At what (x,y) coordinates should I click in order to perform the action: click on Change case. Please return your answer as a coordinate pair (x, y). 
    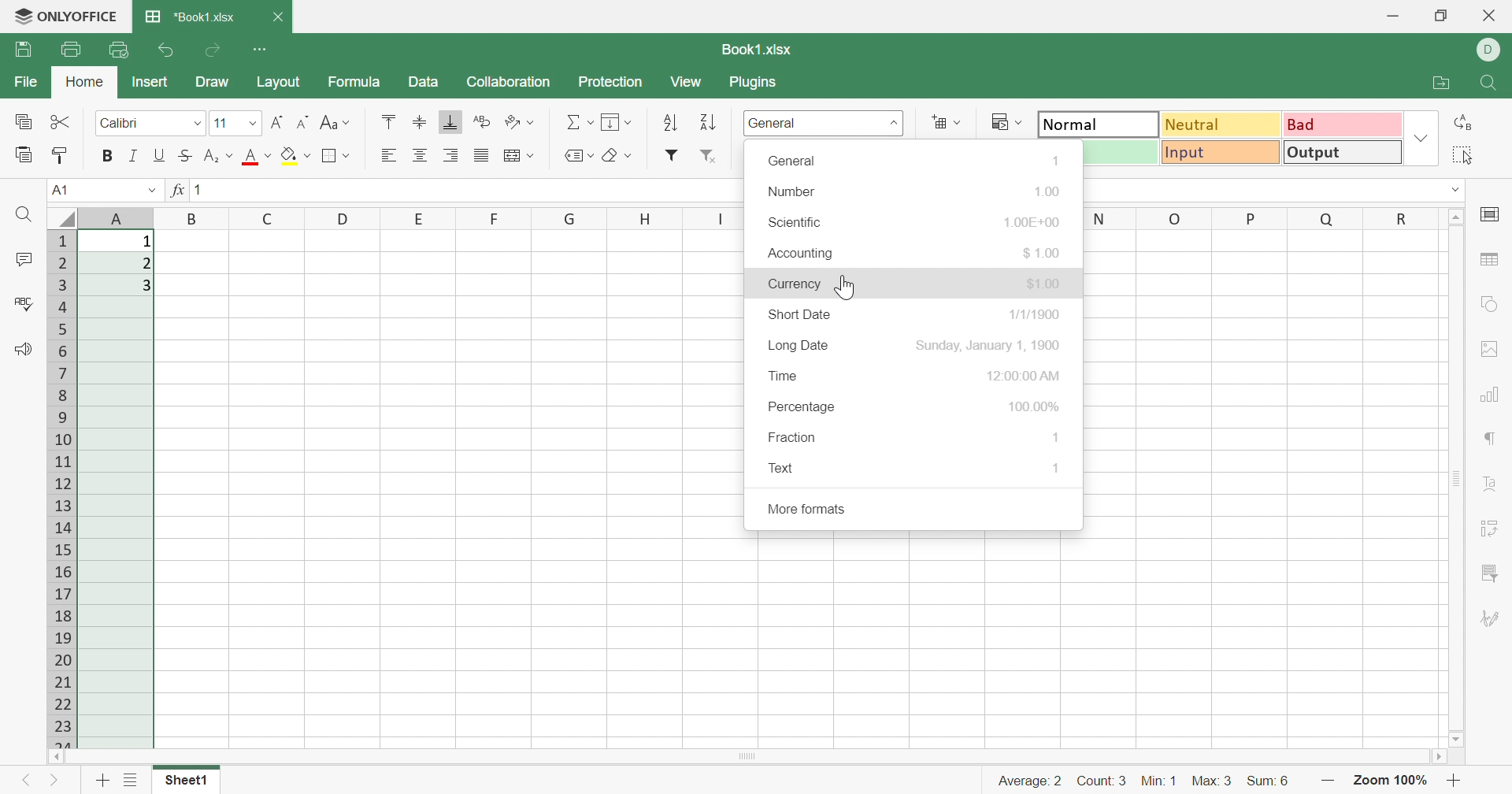
    Looking at the image, I should click on (336, 122).